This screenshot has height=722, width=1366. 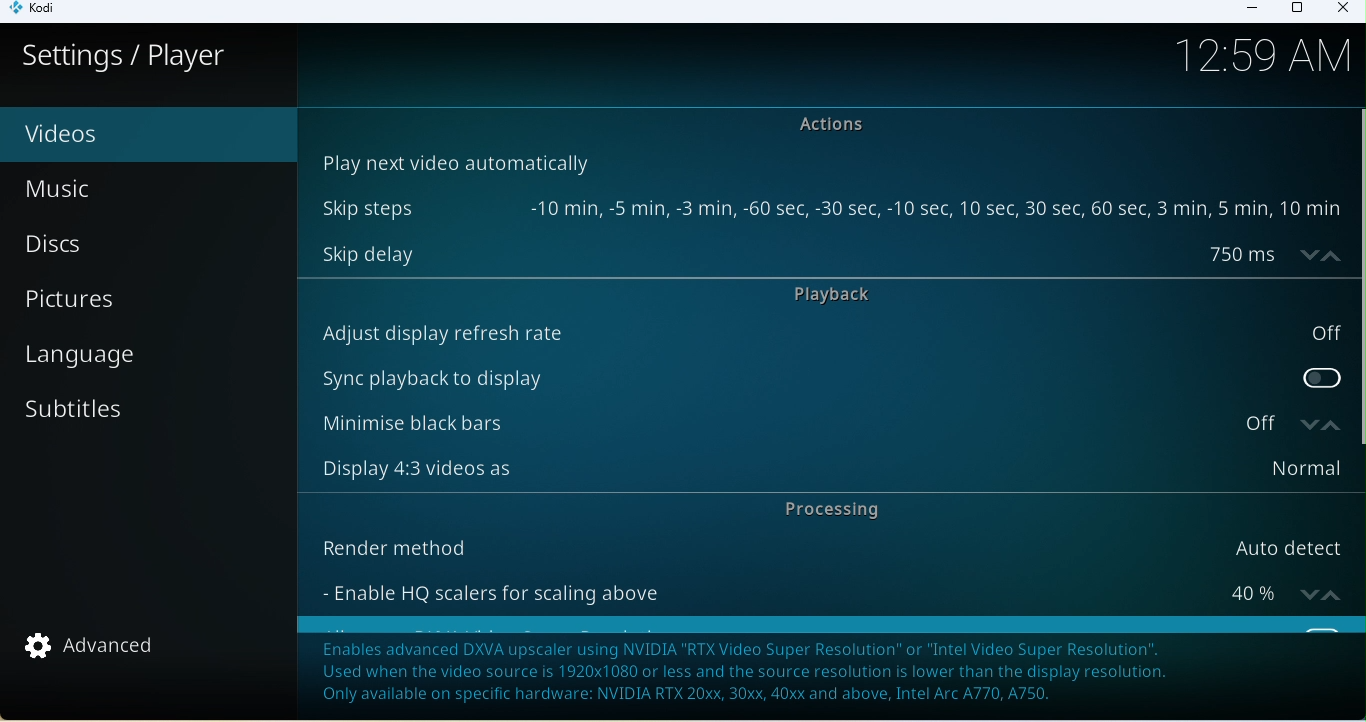 What do you see at coordinates (822, 544) in the screenshot?
I see `Render method` at bounding box center [822, 544].